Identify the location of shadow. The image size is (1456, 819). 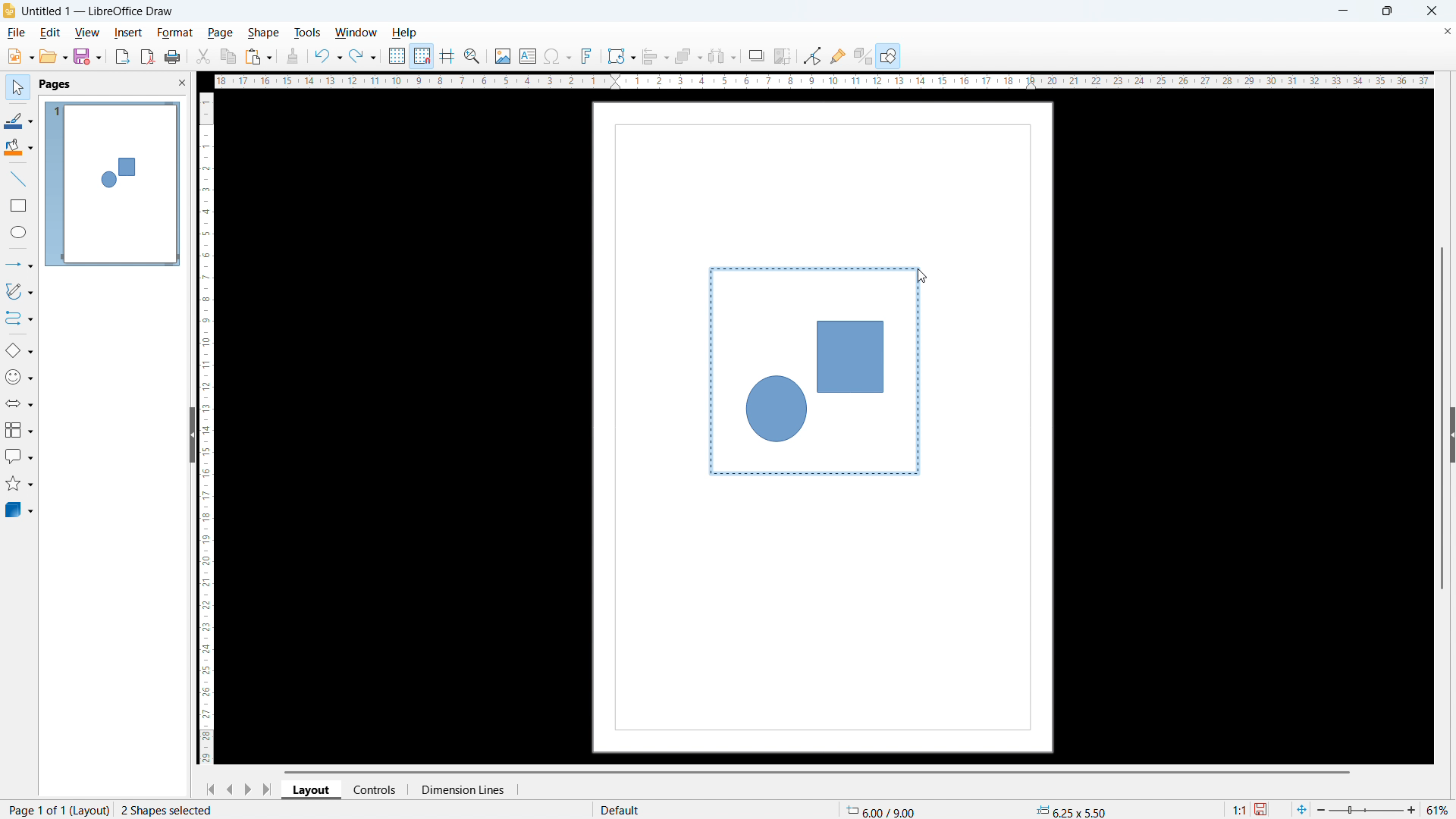
(758, 56).